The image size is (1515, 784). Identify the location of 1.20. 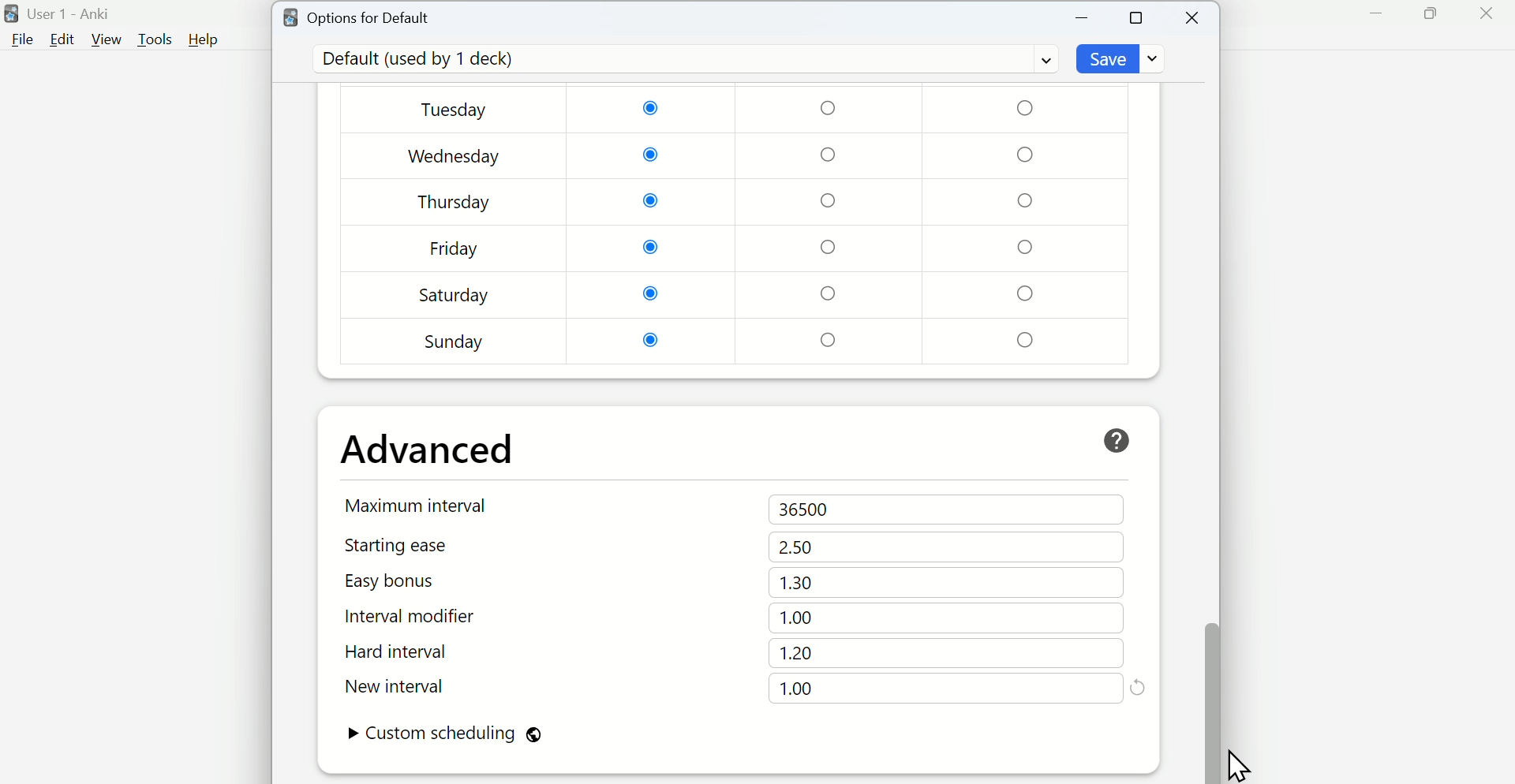
(796, 653).